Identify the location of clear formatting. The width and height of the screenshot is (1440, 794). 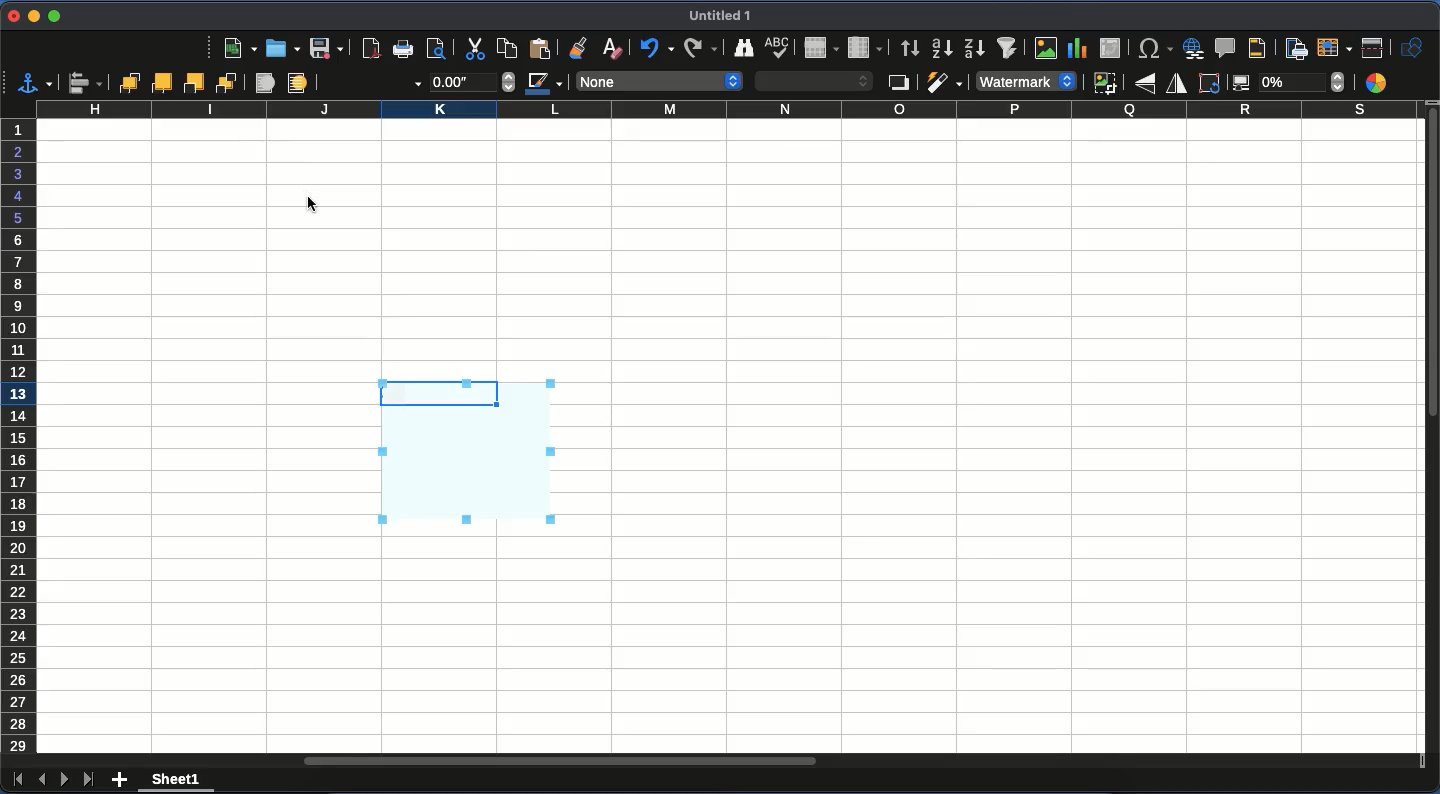
(619, 47).